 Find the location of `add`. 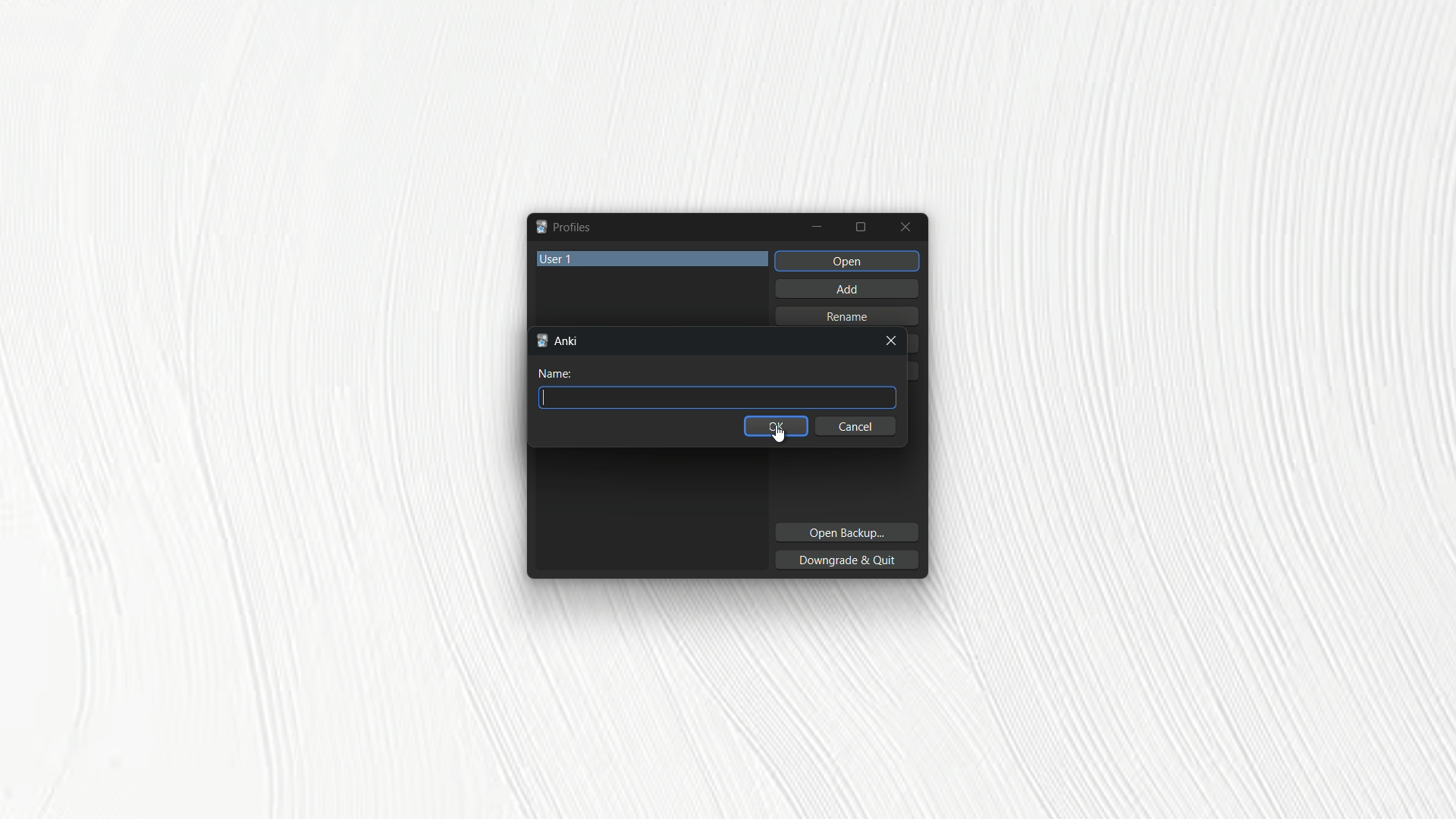

add is located at coordinates (846, 287).